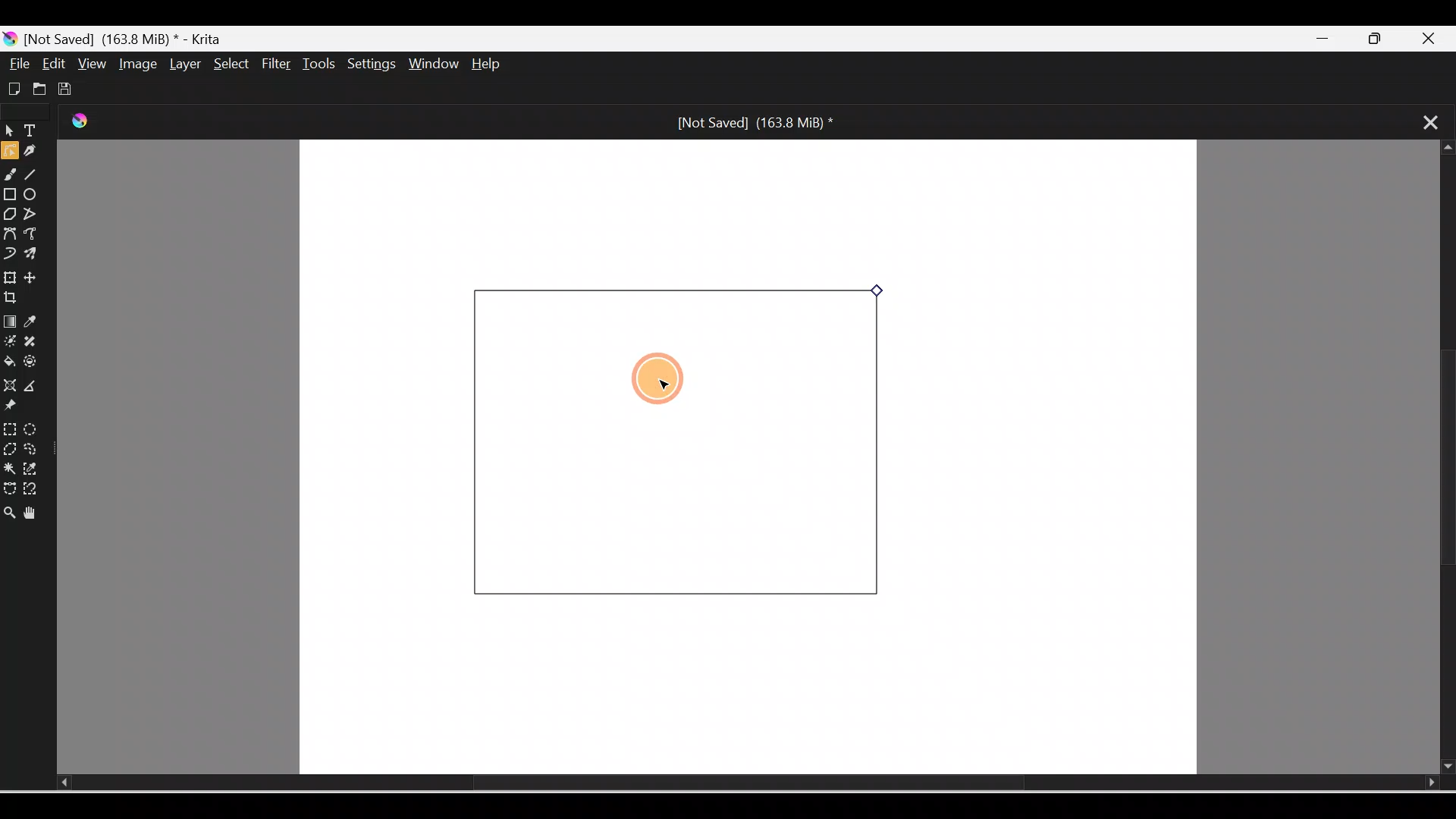  Describe the element at coordinates (499, 65) in the screenshot. I see `Help` at that location.